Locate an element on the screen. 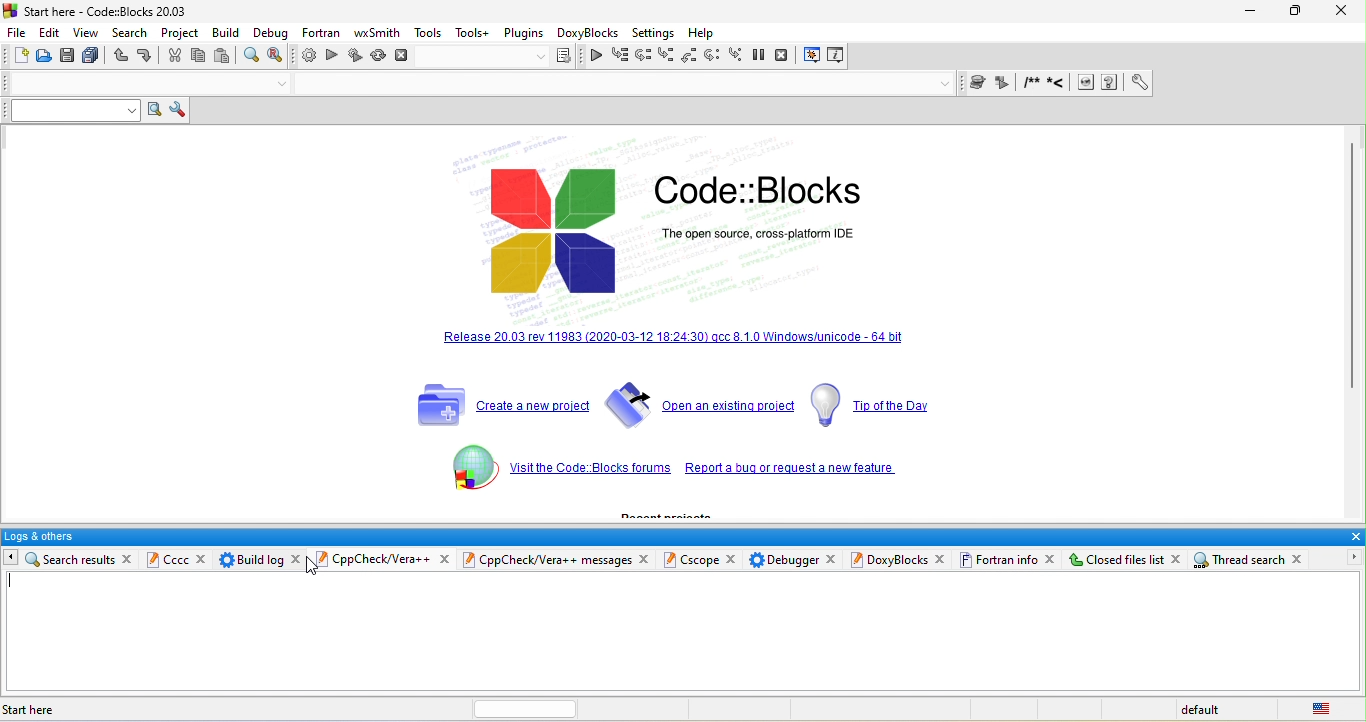 This screenshot has height=722, width=1366. open preference is located at coordinates (1141, 83).